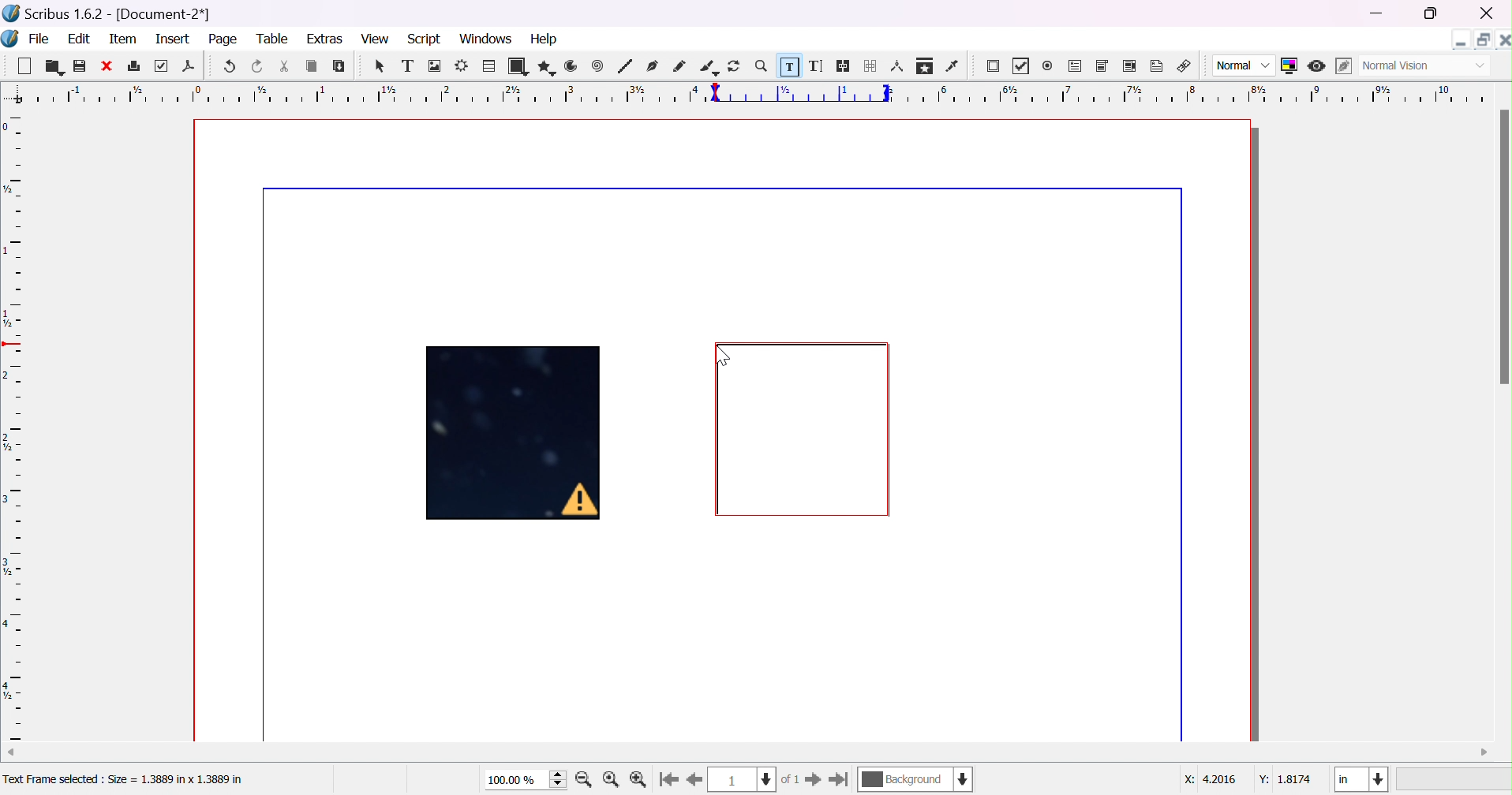  Describe the element at coordinates (1319, 66) in the screenshot. I see `preview mode` at that location.